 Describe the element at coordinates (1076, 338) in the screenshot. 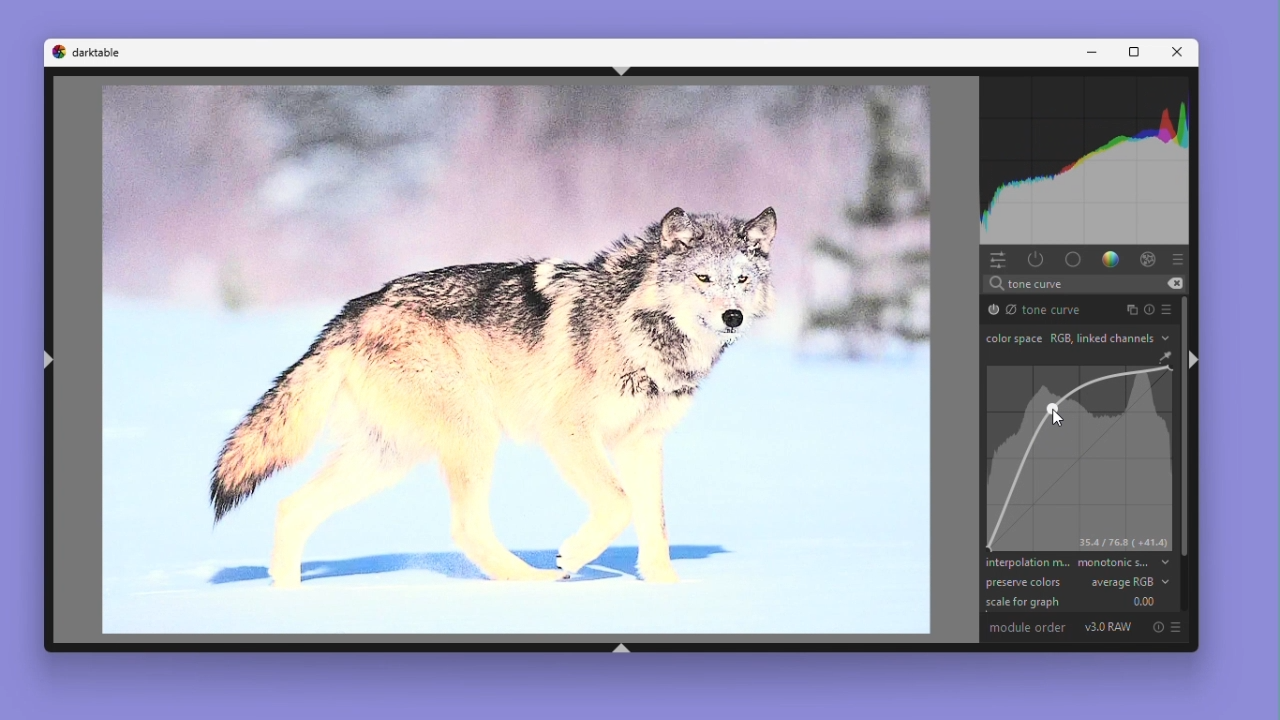

I see `Colour space RGB link channels` at that location.